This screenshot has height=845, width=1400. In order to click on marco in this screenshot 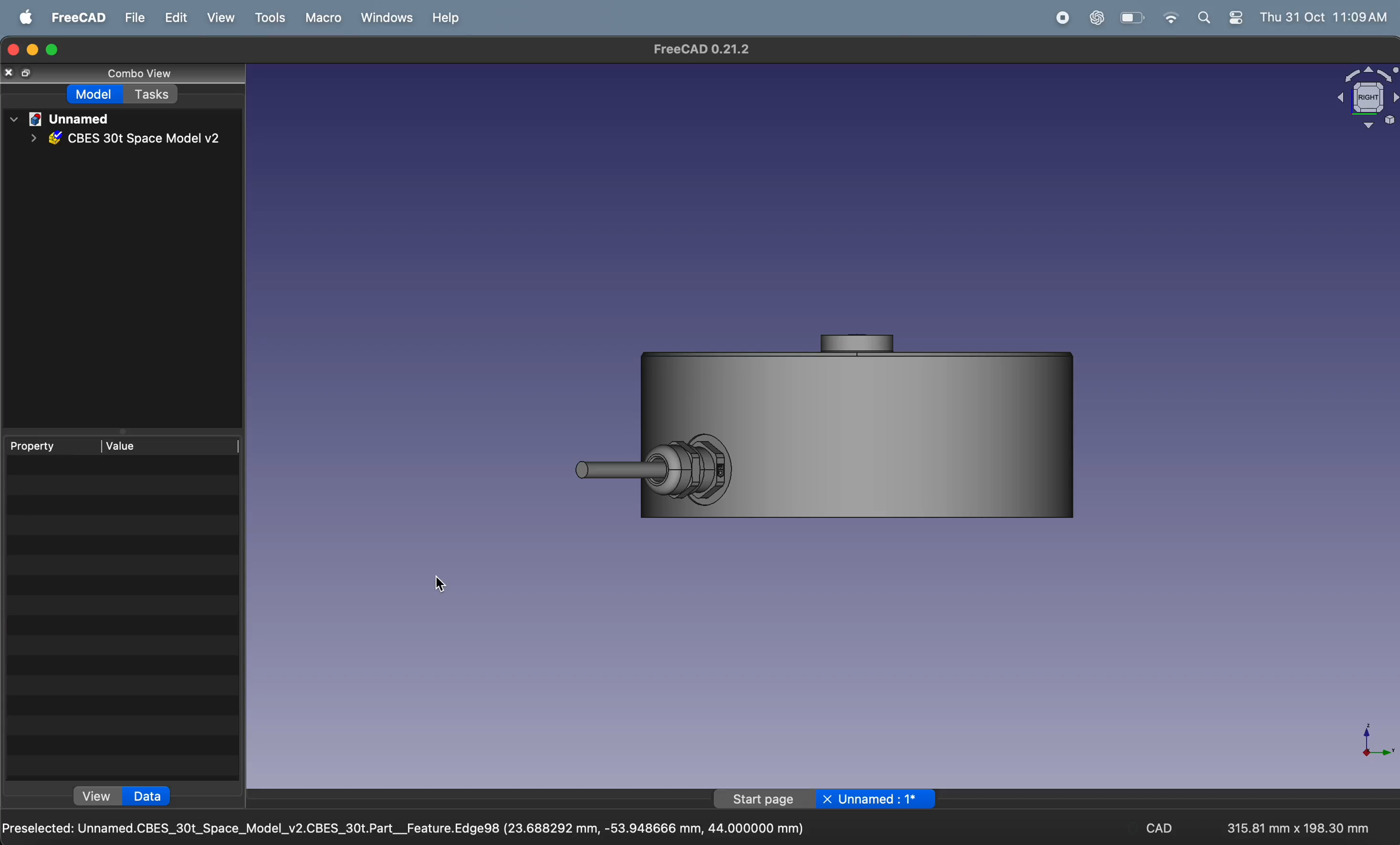, I will do `click(327, 18)`.